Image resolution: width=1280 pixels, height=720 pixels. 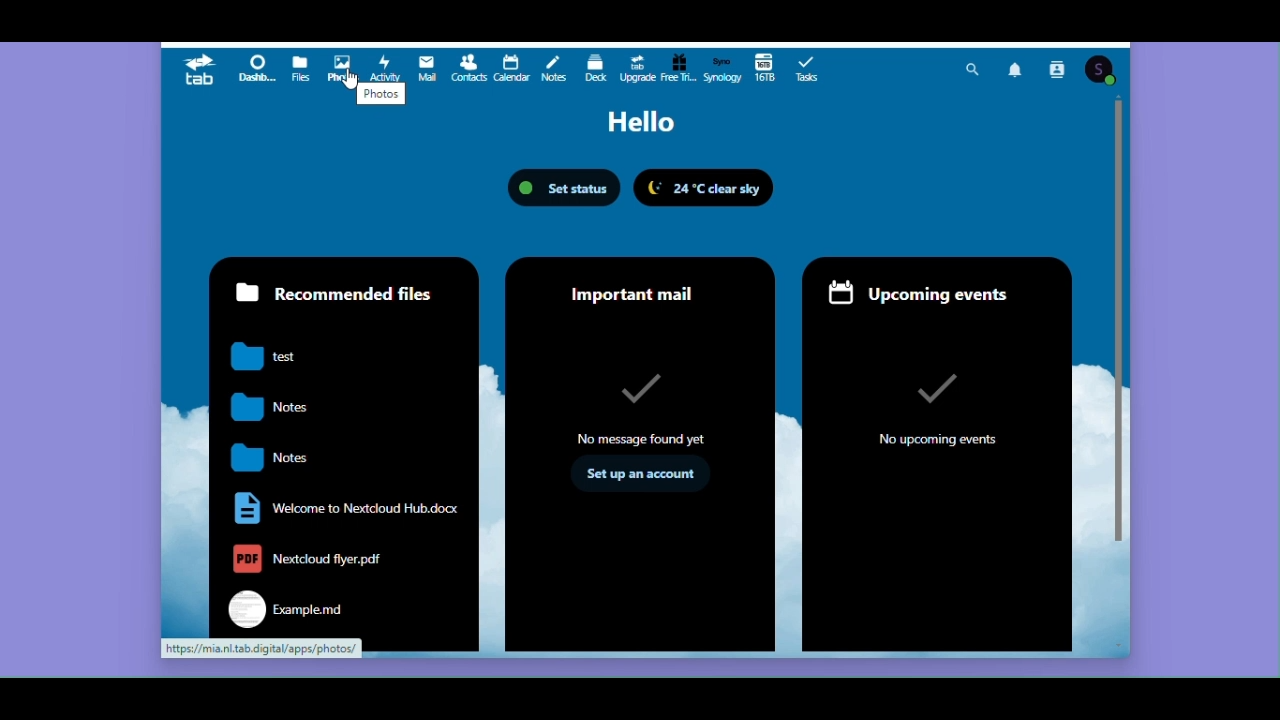 I want to click on Account icon, so click(x=1100, y=71).